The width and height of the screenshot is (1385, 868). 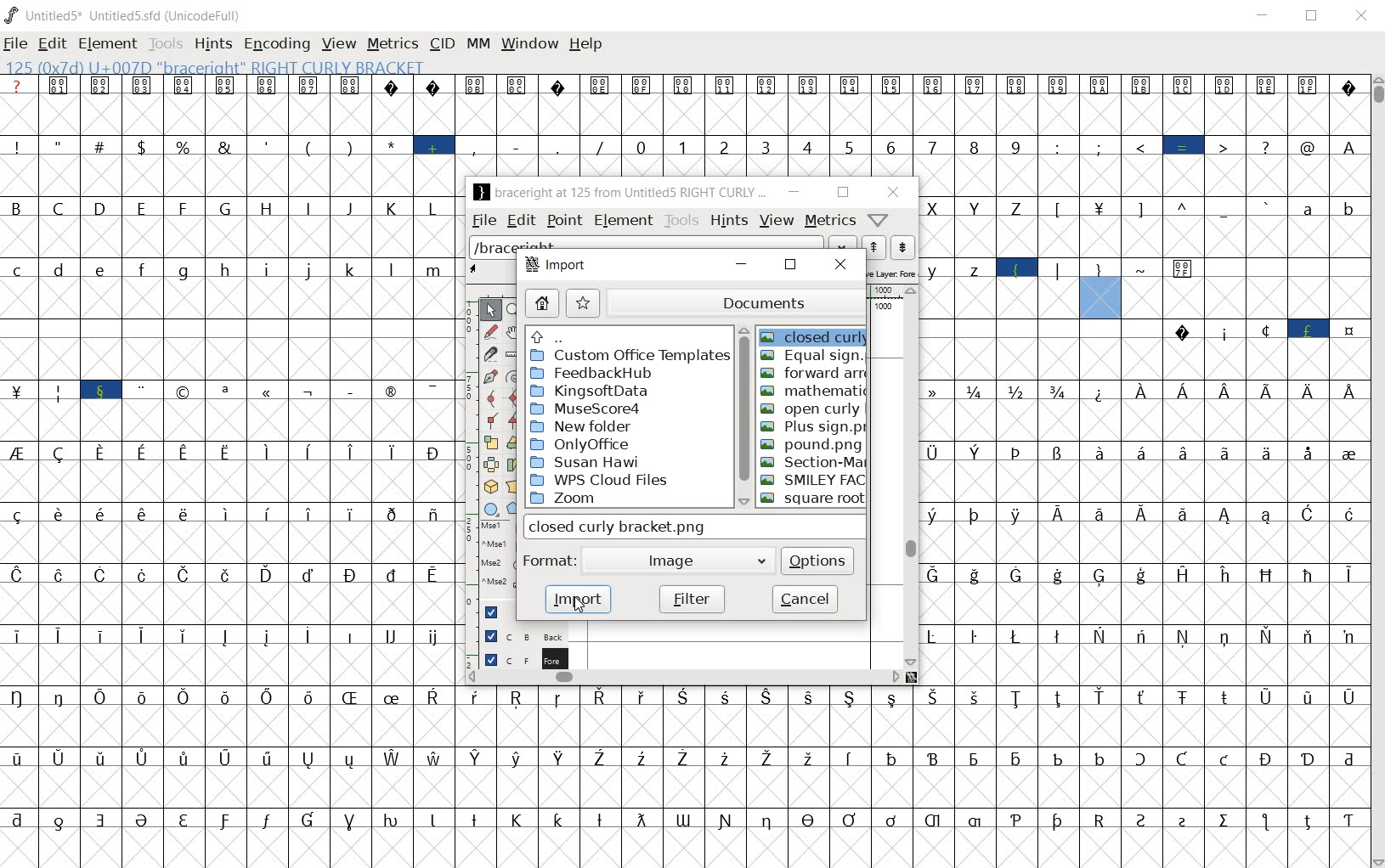 I want to click on WPS Cloud Files, so click(x=602, y=480).